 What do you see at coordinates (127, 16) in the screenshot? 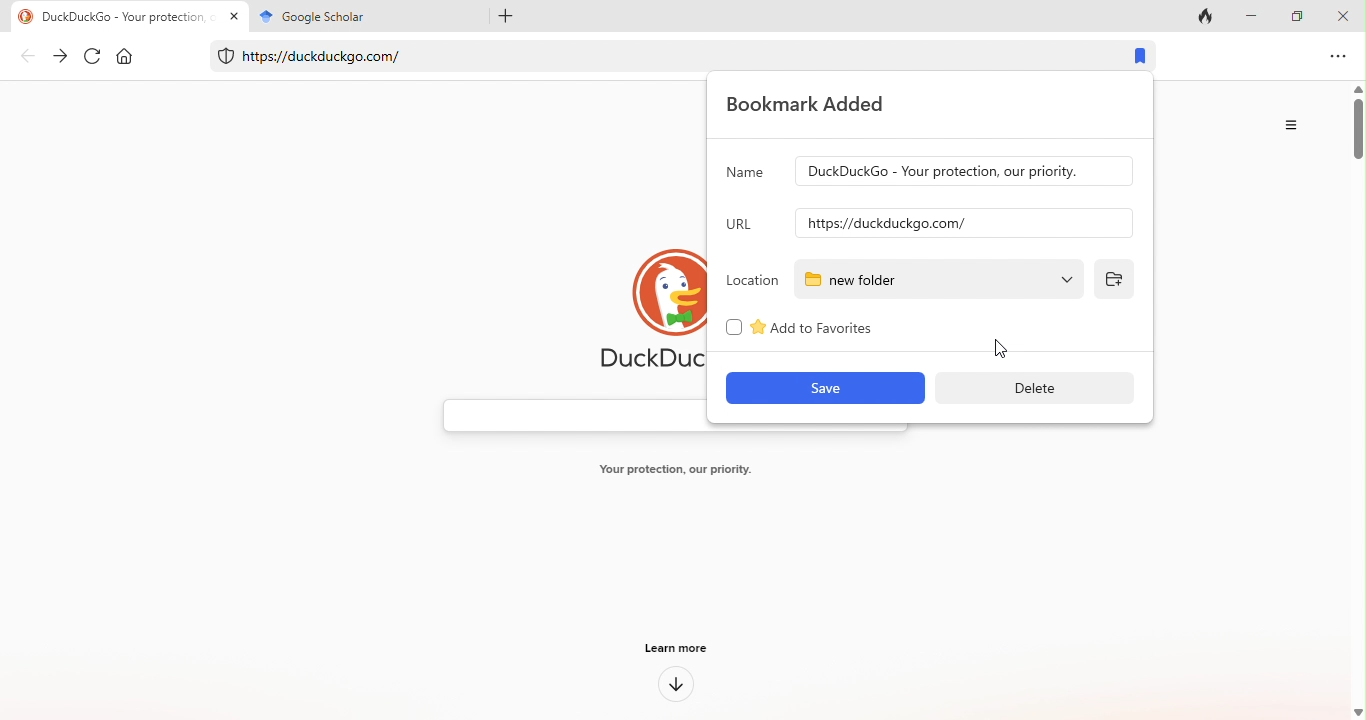
I see `title` at bounding box center [127, 16].